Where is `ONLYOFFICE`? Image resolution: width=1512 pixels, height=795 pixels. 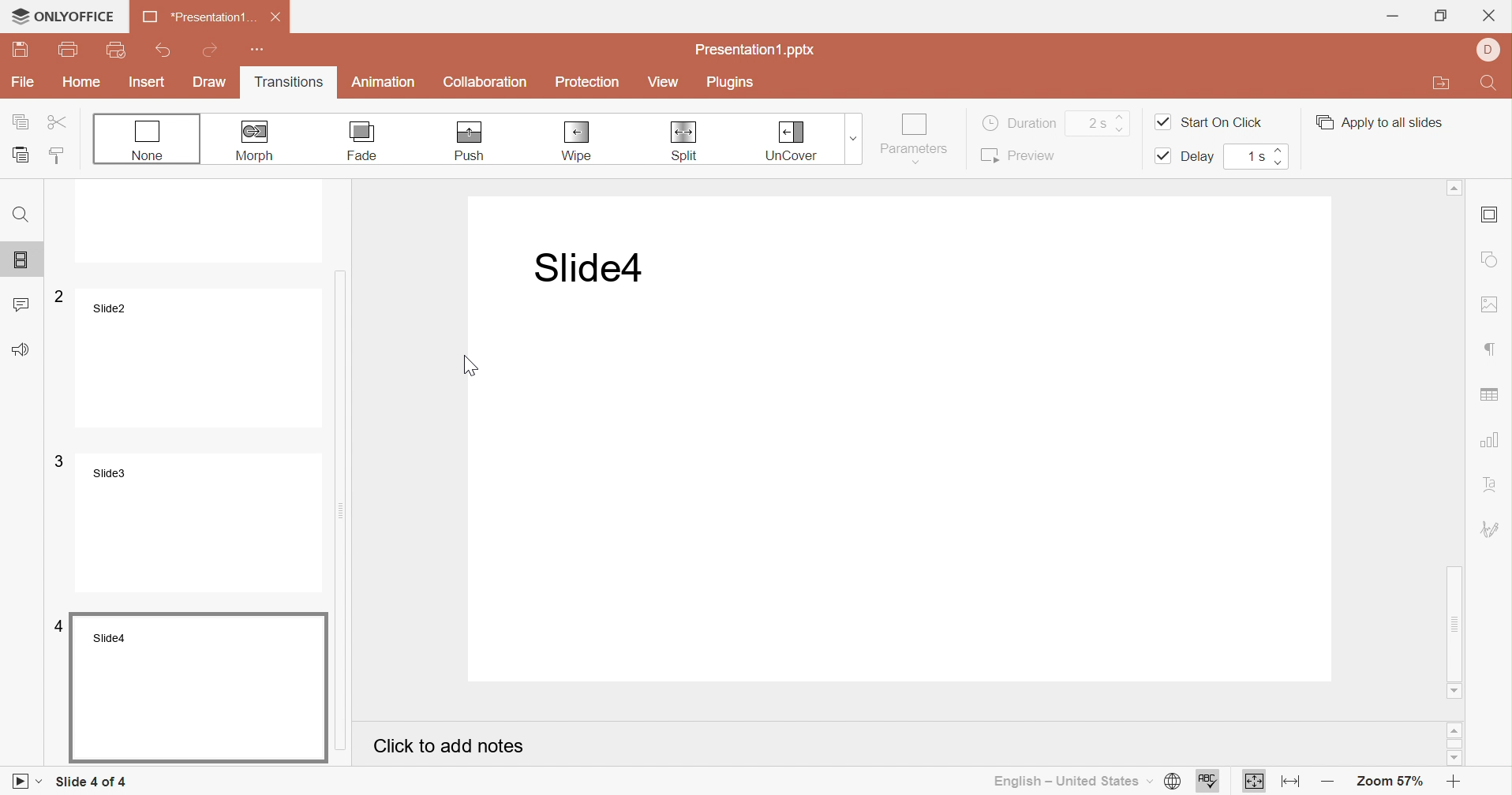 ONLYOFFICE is located at coordinates (61, 13).